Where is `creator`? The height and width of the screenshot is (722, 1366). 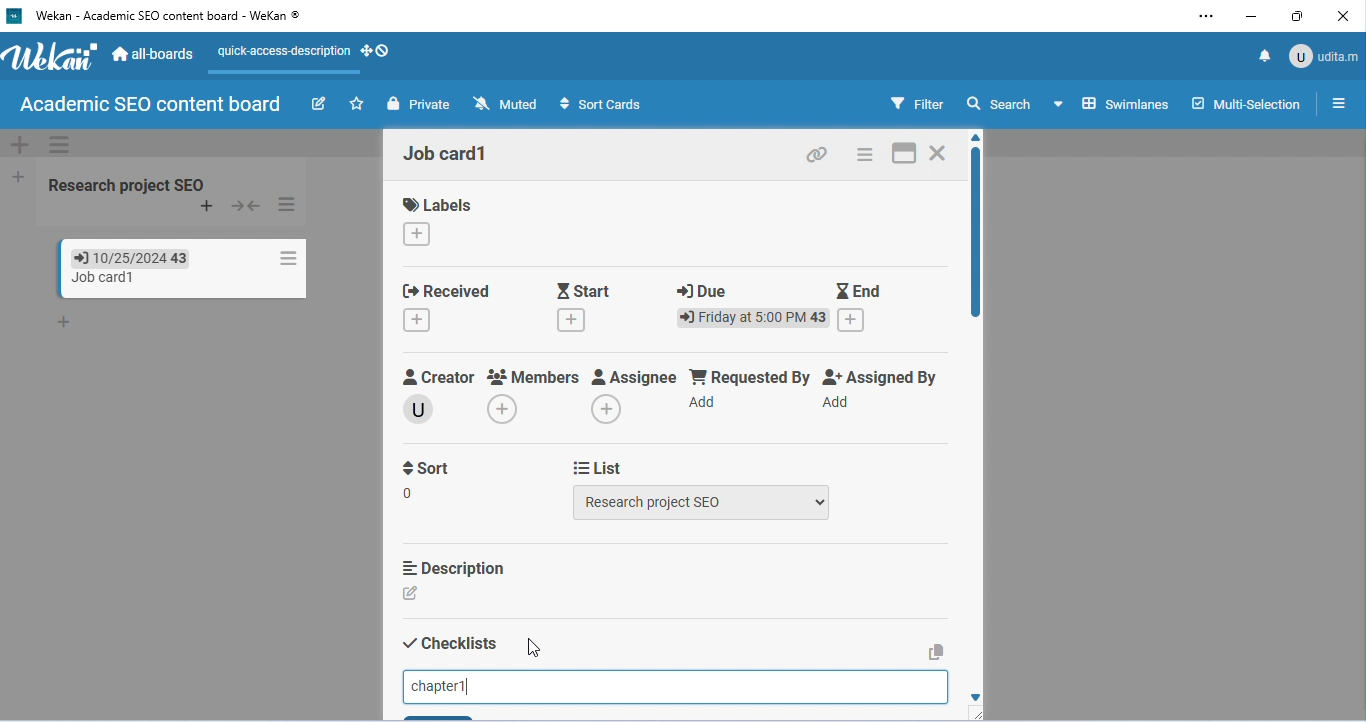 creator is located at coordinates (440, 378).